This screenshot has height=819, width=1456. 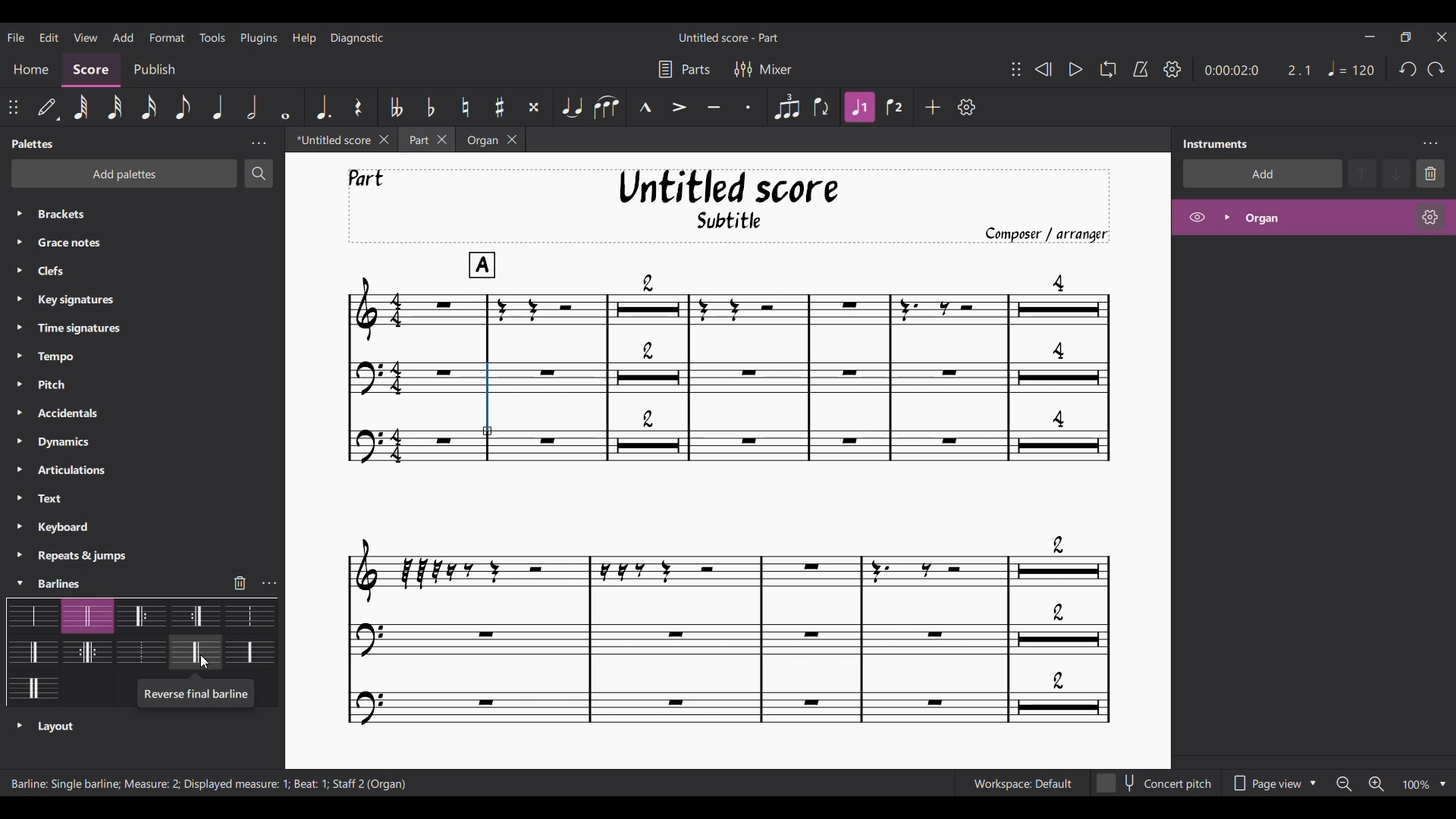 What do you see at coordinates (488, 400) in the screenshot?
I see `Selected bar line highlighted` at bounding box center [488, 400].